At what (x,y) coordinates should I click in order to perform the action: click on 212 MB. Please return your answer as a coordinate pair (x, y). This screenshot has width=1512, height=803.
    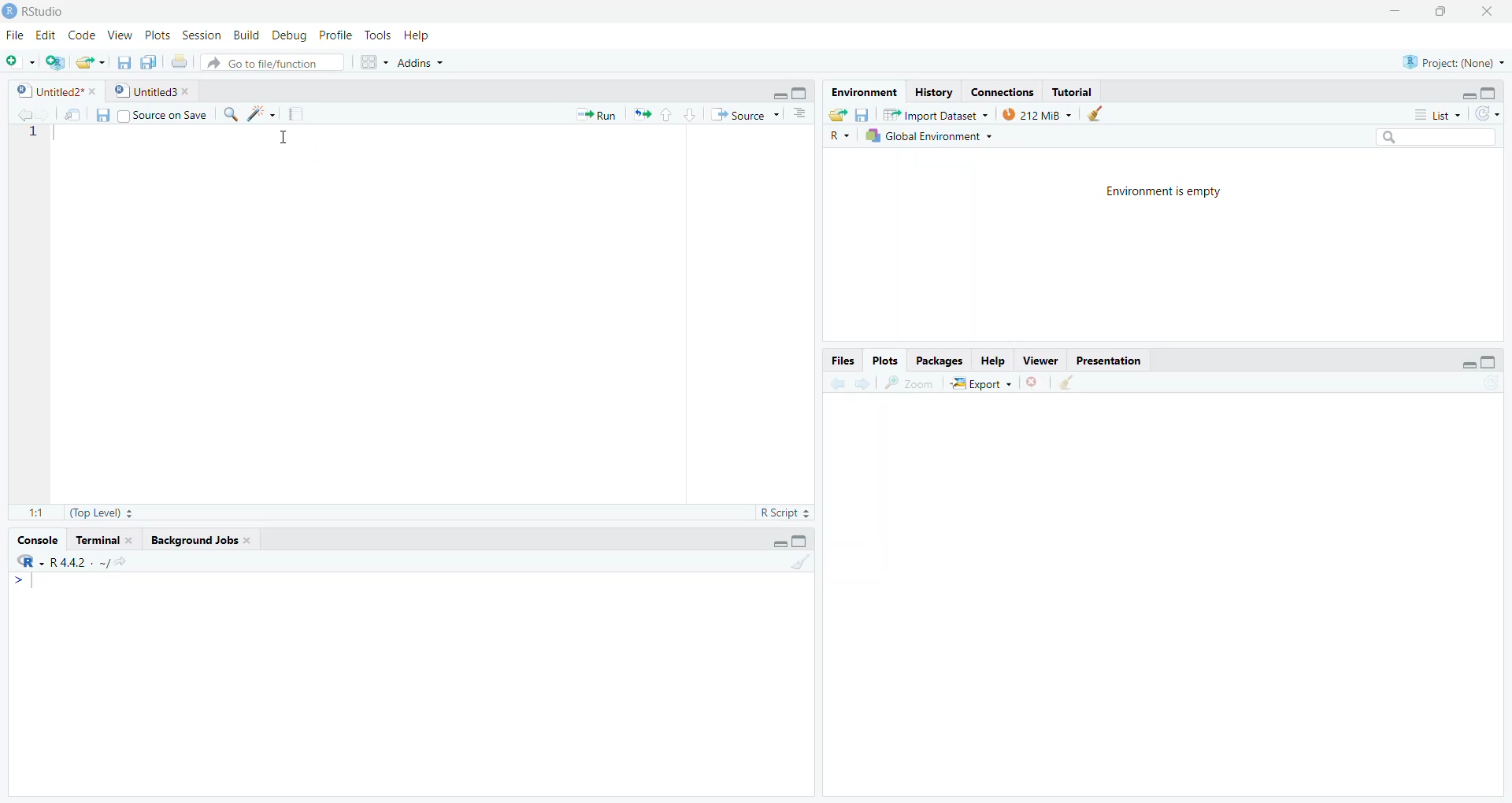
    Looking at the image, I should click on (1038, 114).